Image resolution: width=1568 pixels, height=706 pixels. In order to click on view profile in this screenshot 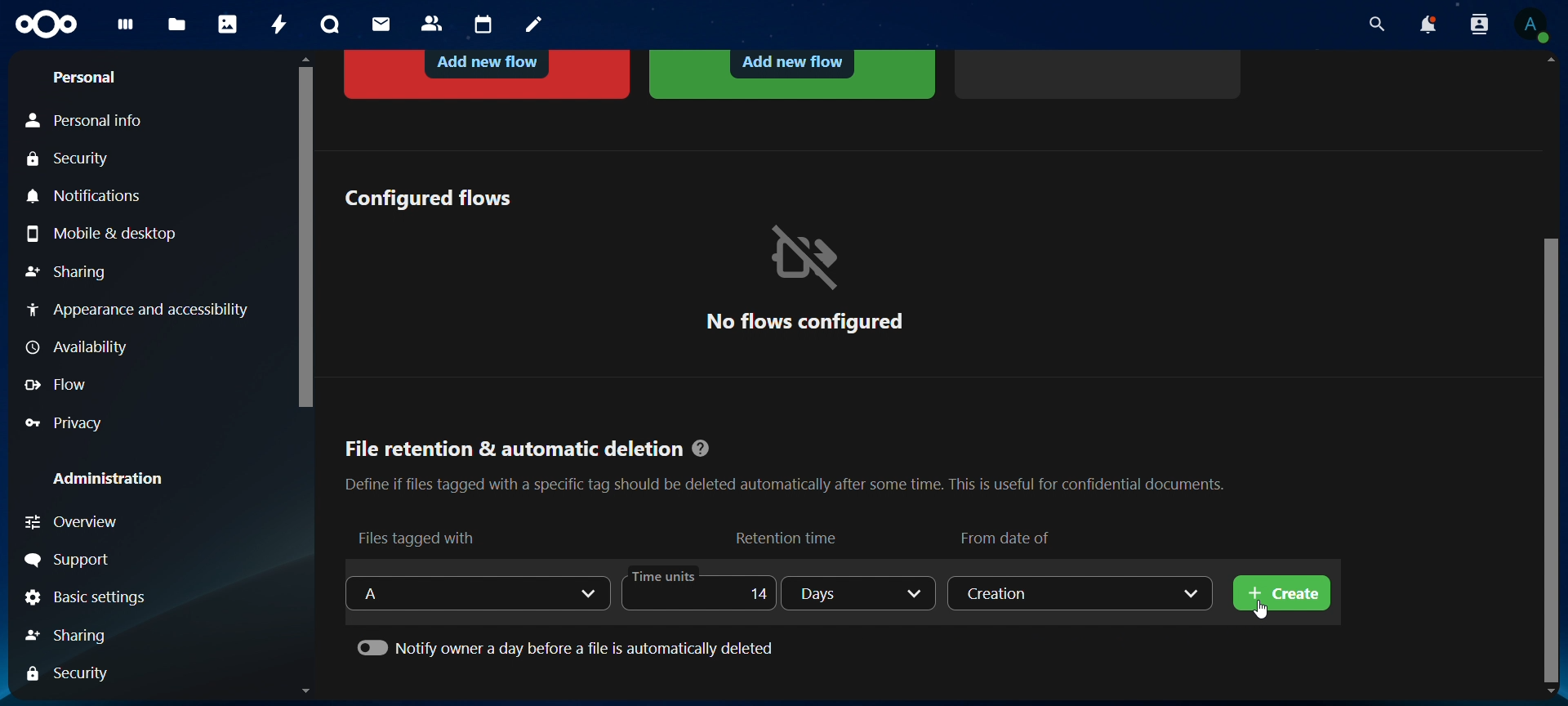, I will do `click(1531, 25)`.